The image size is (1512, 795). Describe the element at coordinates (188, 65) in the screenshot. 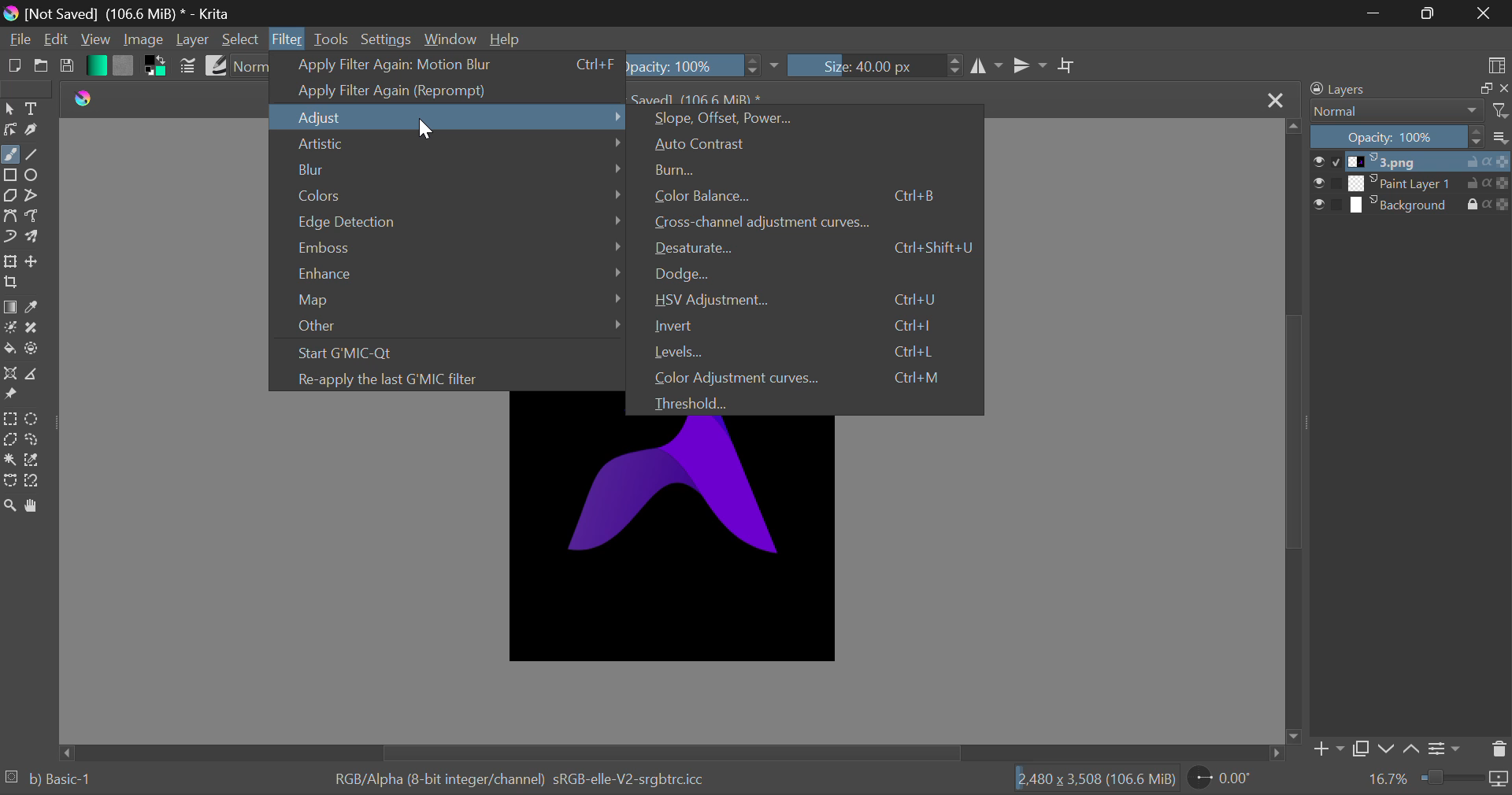

I see `Brush Settings` at that location.